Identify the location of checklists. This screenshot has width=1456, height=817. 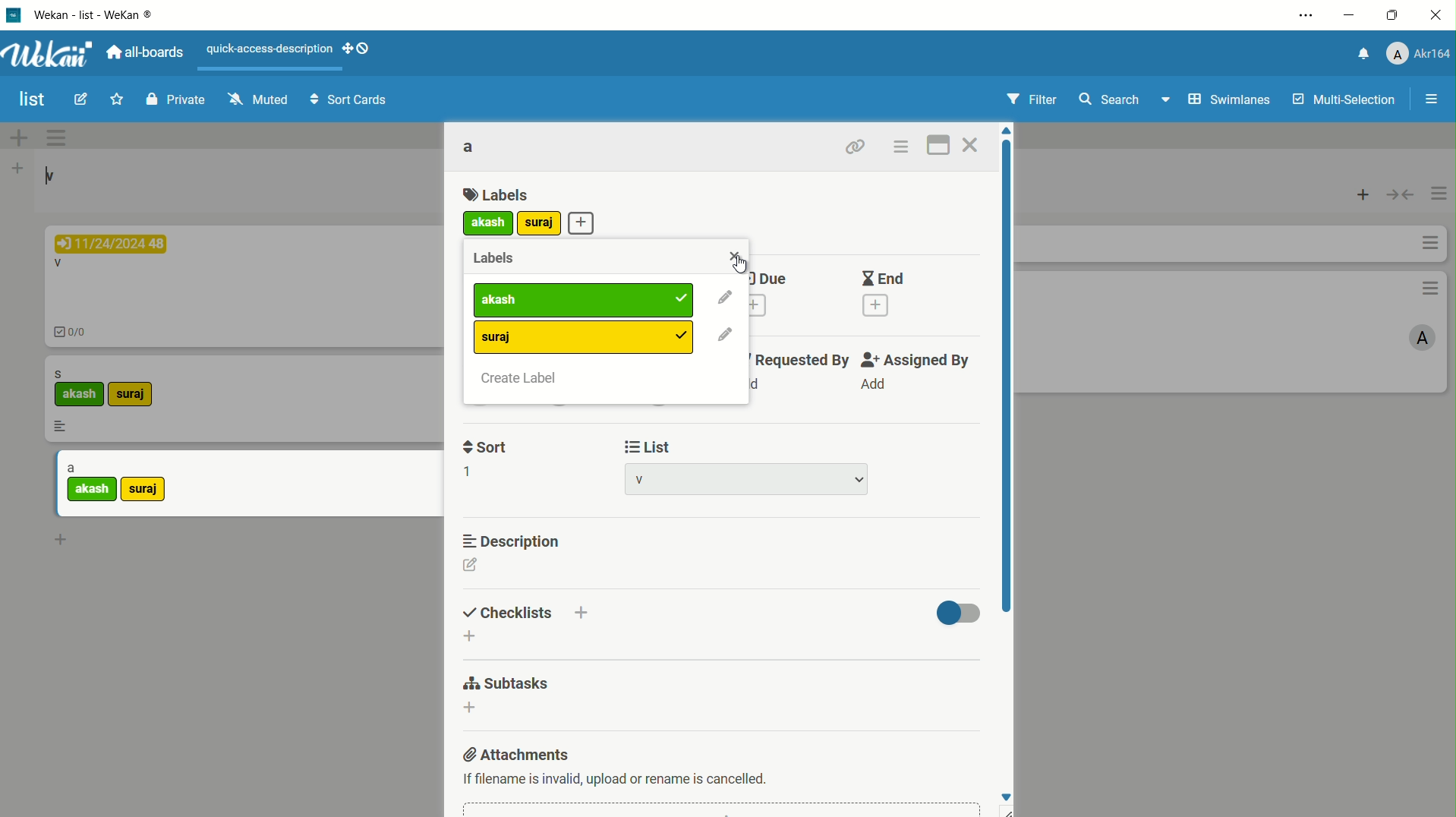
(506, 611).